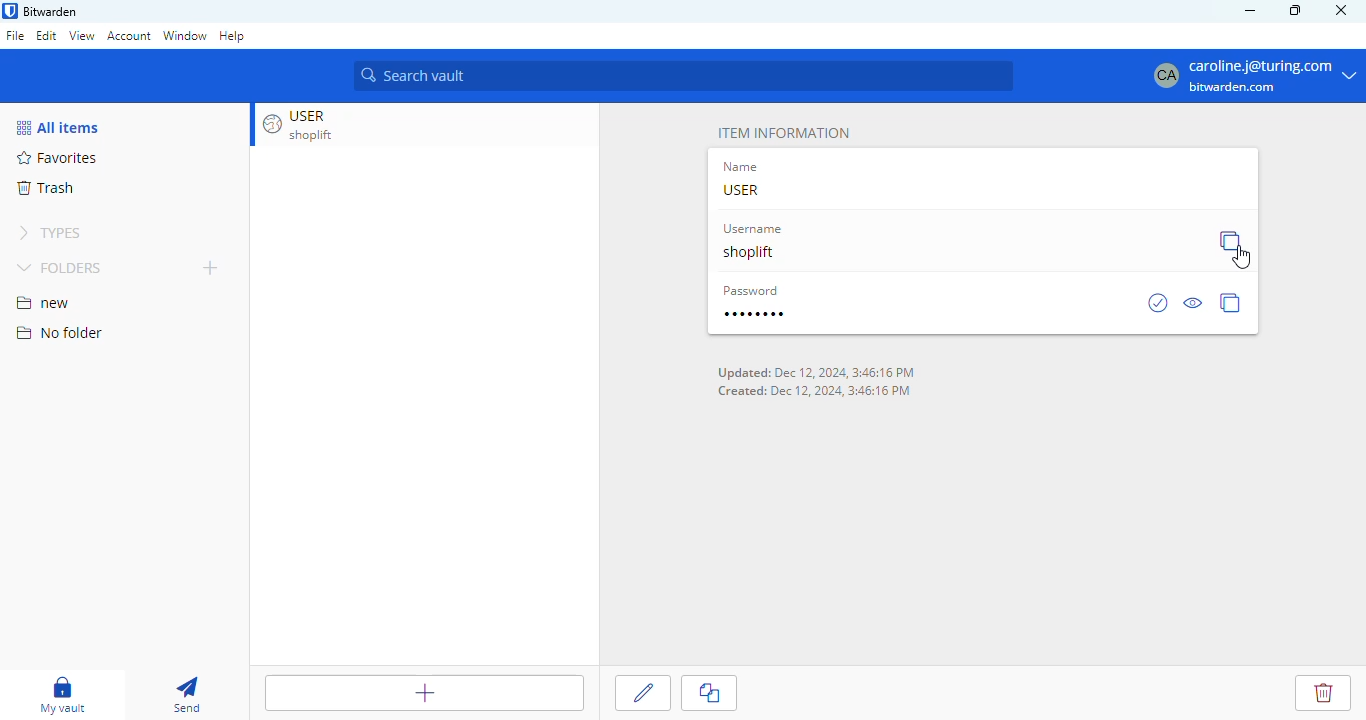  Describe the element at coordinates (741, 190) in the screenshot. I see `USER` at that location.